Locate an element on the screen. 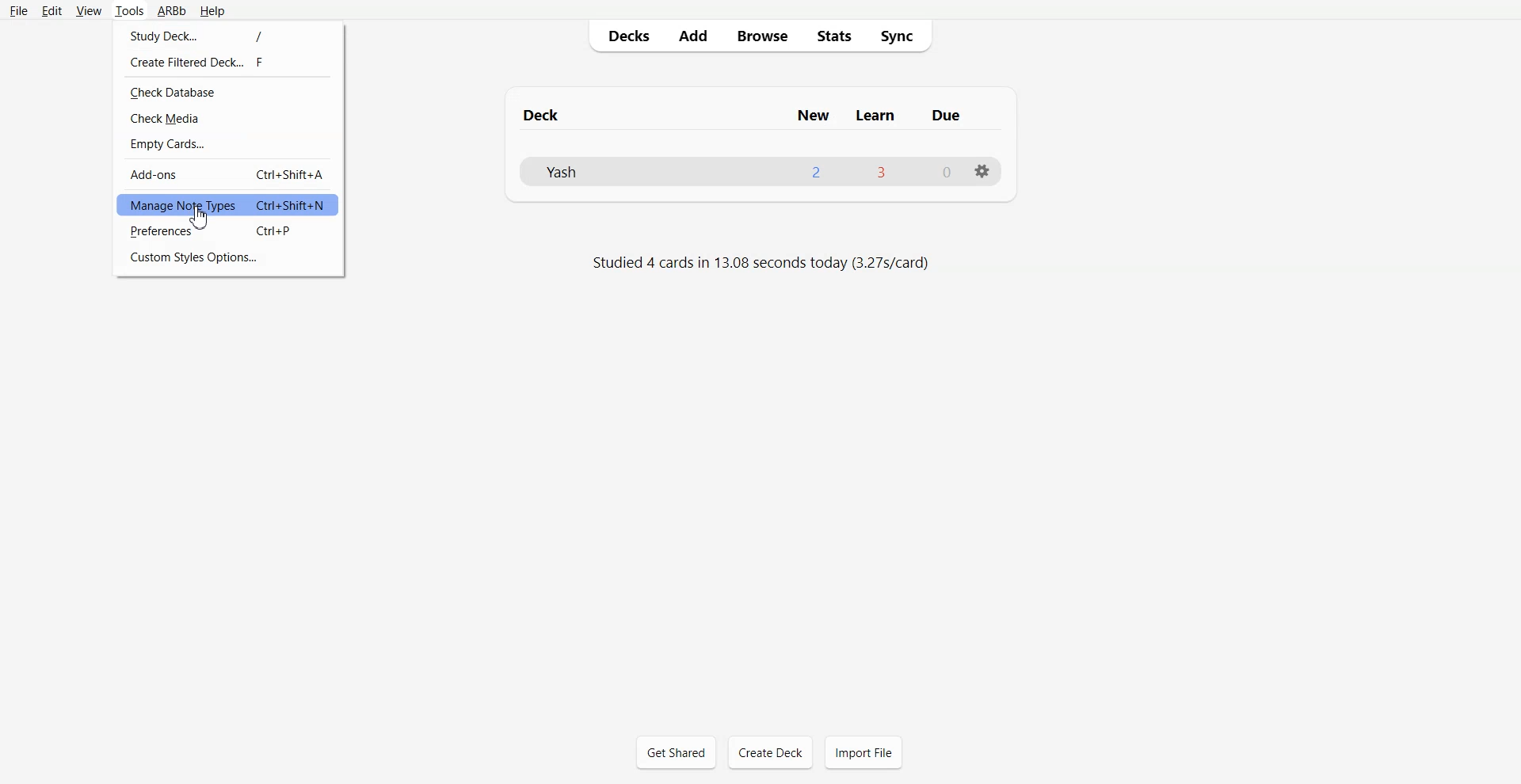  Text 2 is located at coordinates (759, 265).